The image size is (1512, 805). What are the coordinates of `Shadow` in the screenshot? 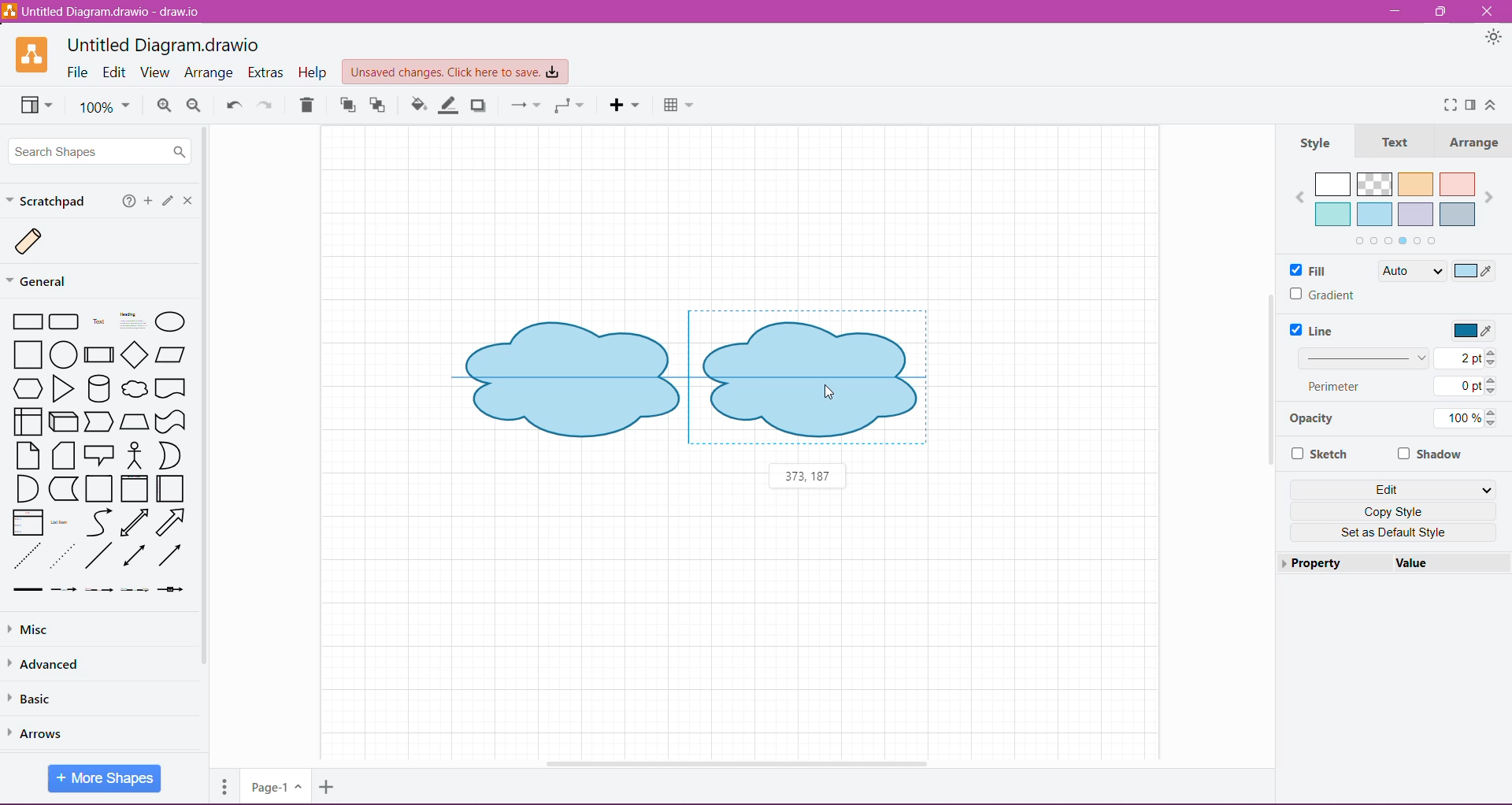 It's located at (479, 106).